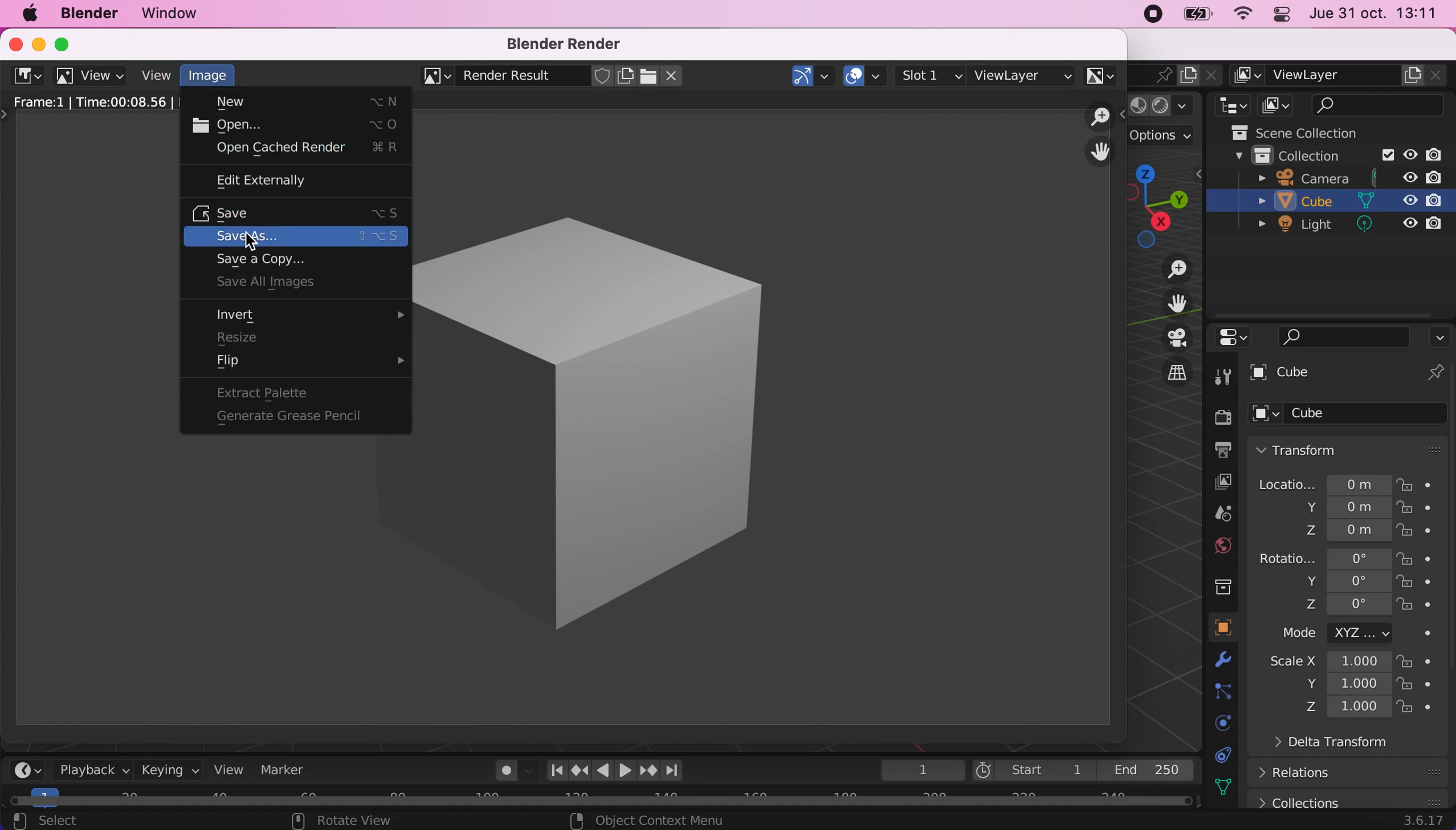  What do you see at coordinates (1218, 722) in the screenshot?
I see `physics` at bounding box center [1218, 722].